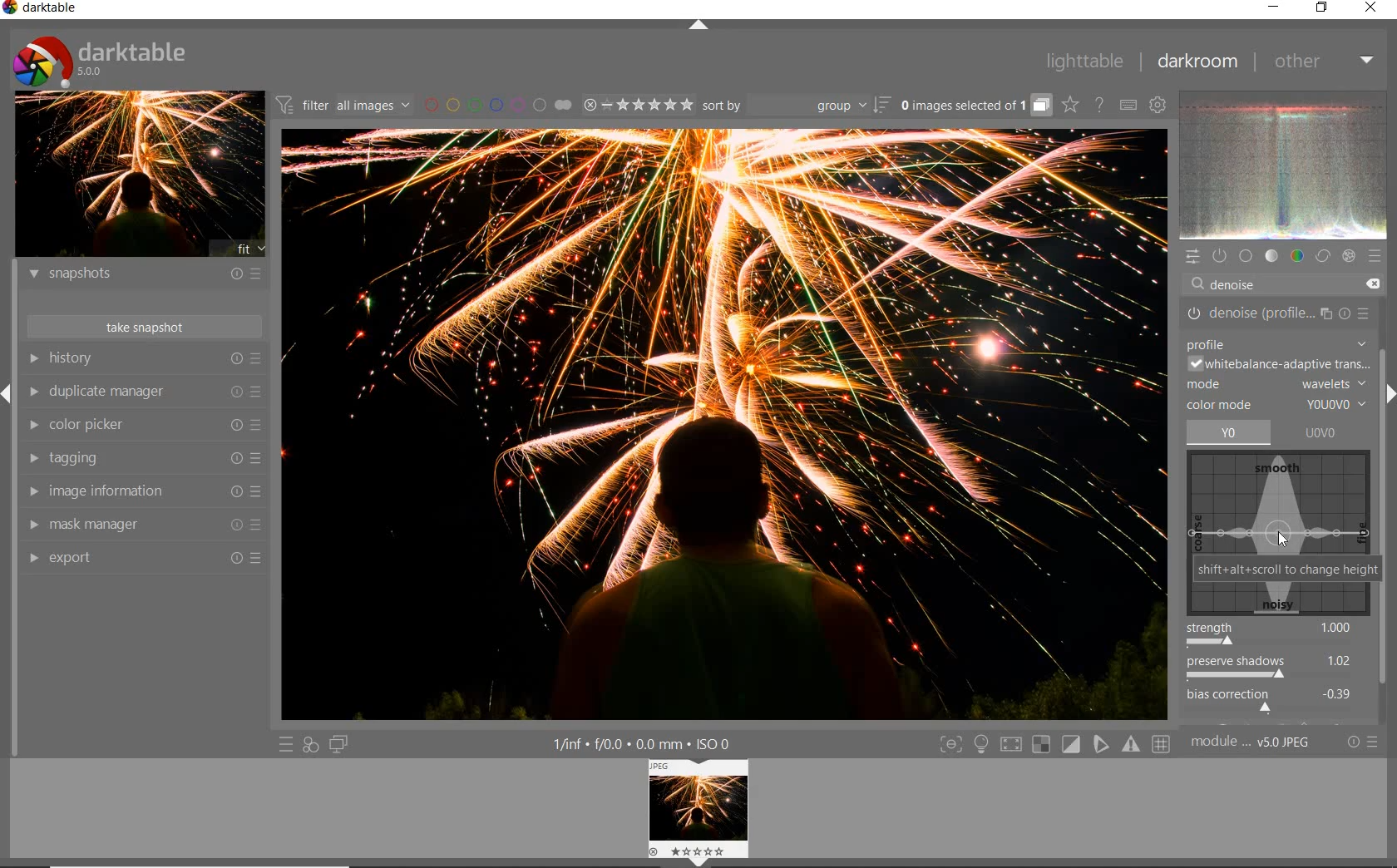  I want to click on preserve shadows, so click(1276, 670).